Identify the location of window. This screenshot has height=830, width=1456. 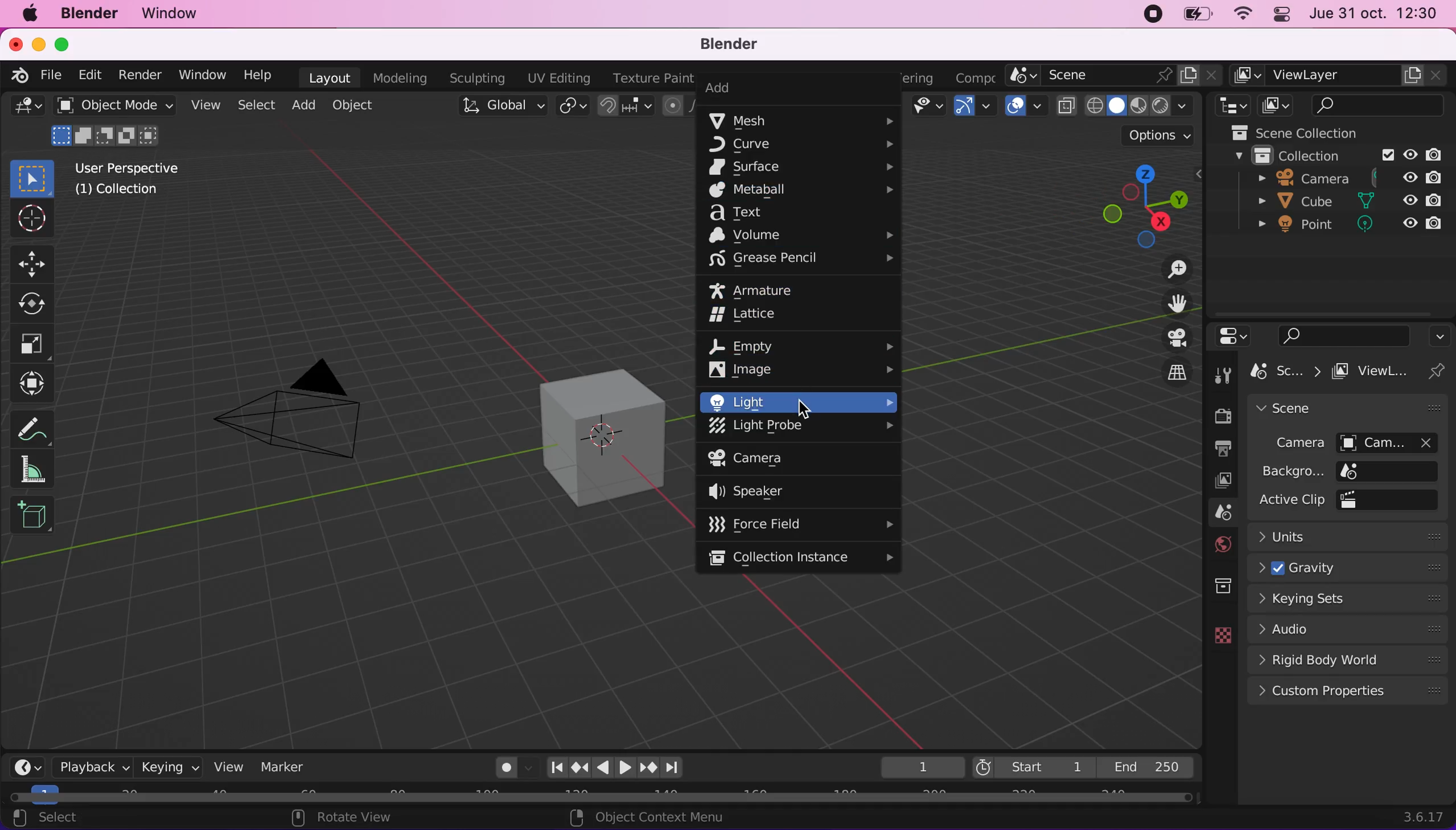
(182, 15).